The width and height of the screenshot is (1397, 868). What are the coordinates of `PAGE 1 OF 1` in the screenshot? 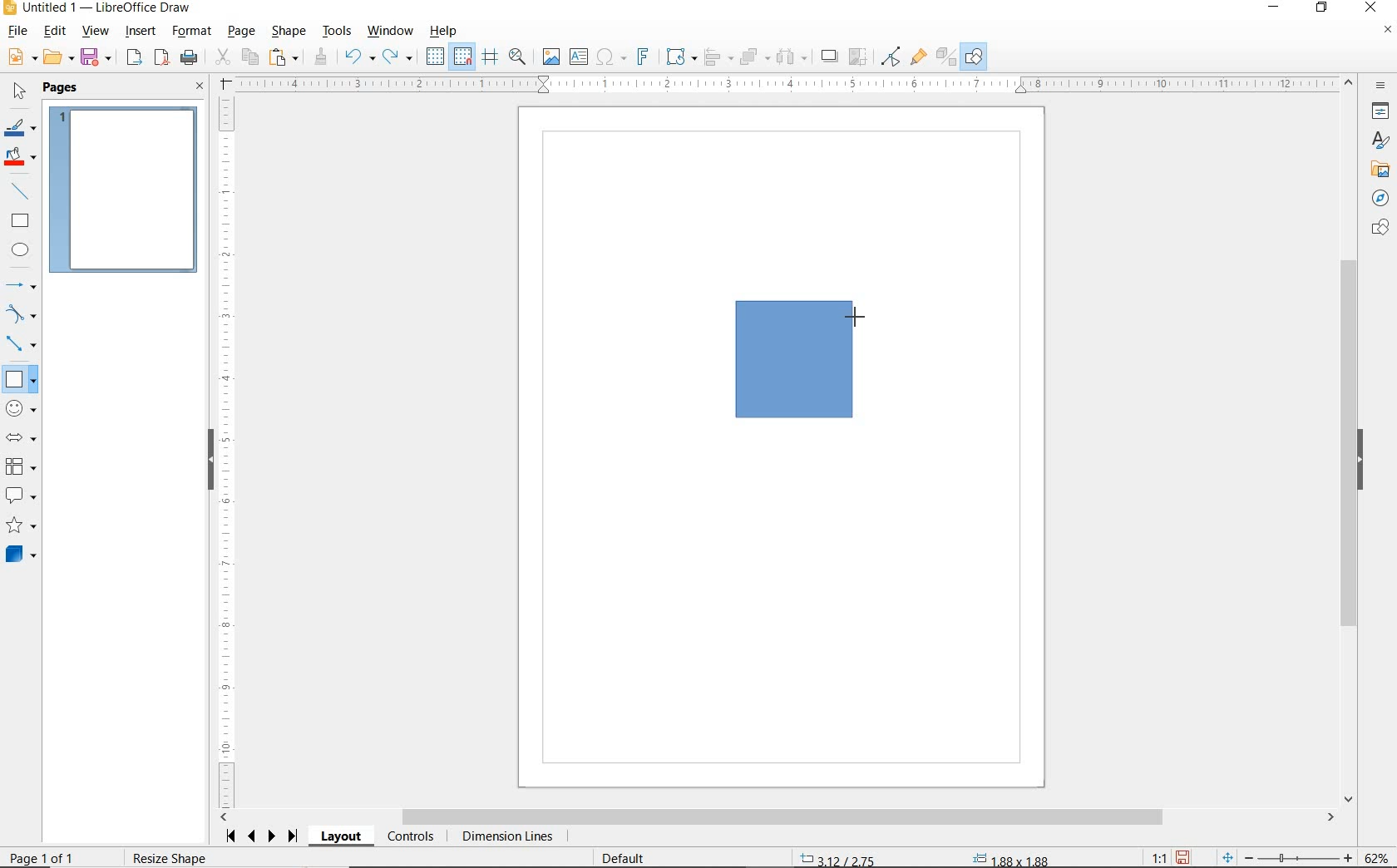 It's located at (42, 860).